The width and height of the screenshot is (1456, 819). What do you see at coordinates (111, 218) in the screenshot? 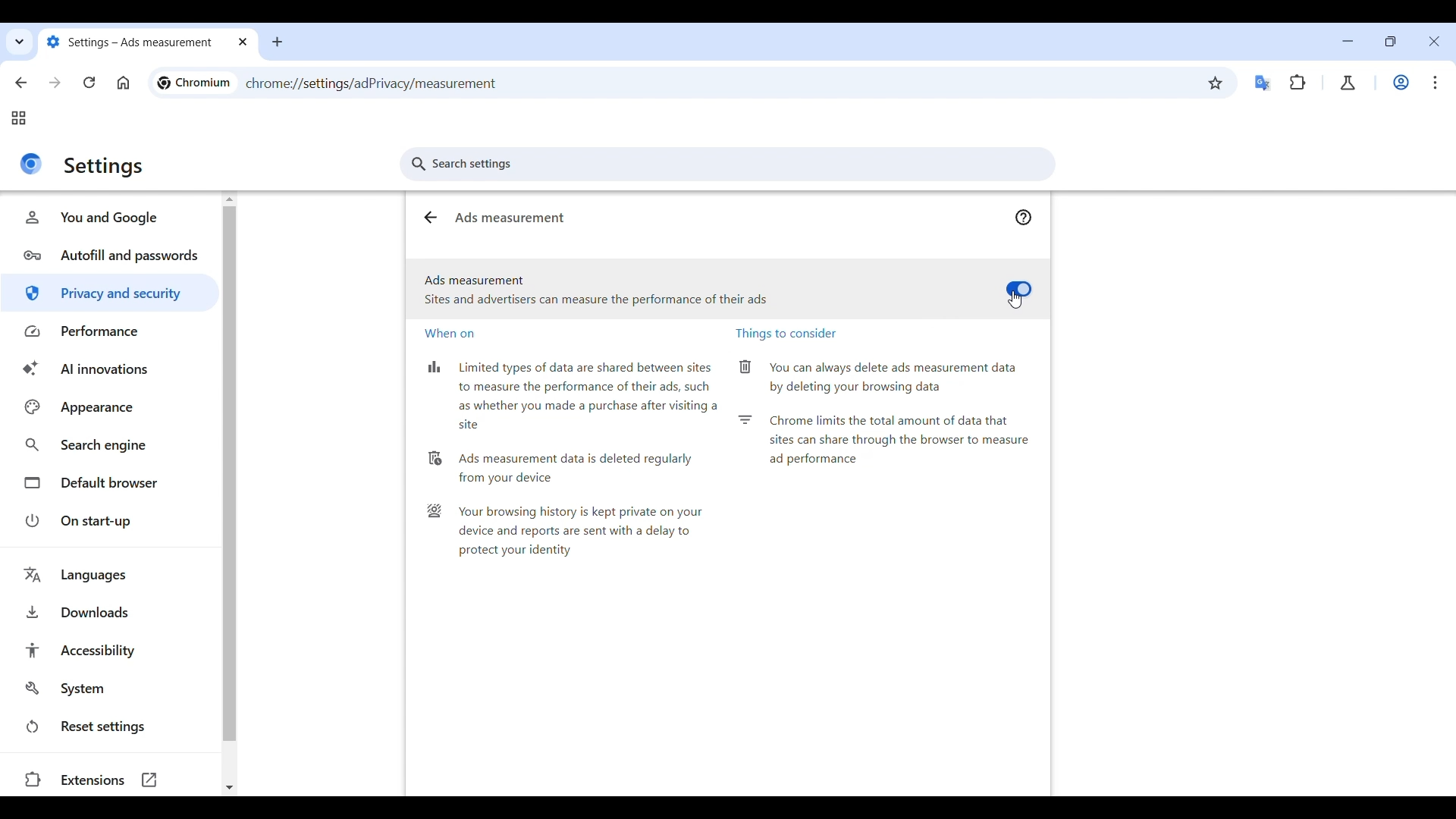
I see `You and Google` at bounding box center [111, 218].